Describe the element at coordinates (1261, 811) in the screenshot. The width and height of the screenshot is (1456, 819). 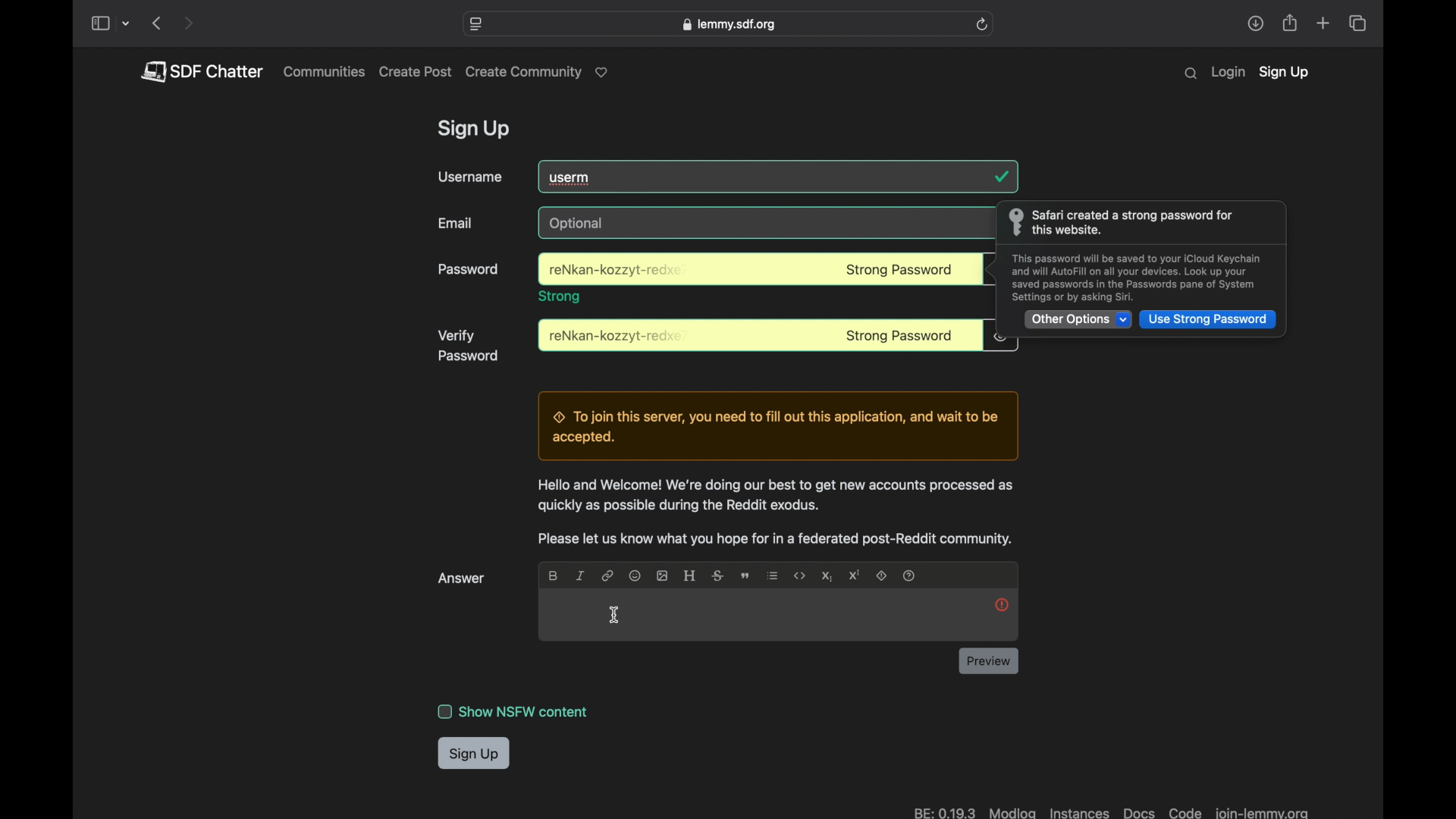
I see `join-lemma.org` at that location.